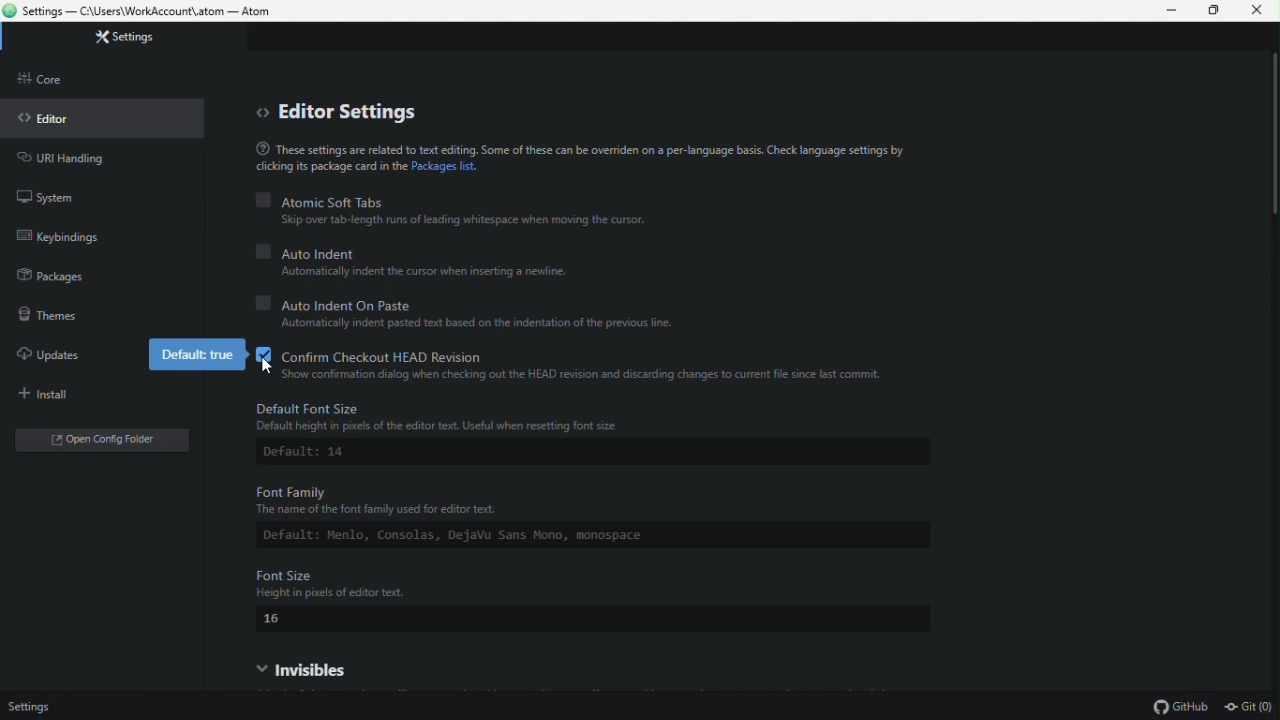  What do you see at coordinates (320, 670) in the screenshot?
I see `Visible` at bounding box center [320, 670].